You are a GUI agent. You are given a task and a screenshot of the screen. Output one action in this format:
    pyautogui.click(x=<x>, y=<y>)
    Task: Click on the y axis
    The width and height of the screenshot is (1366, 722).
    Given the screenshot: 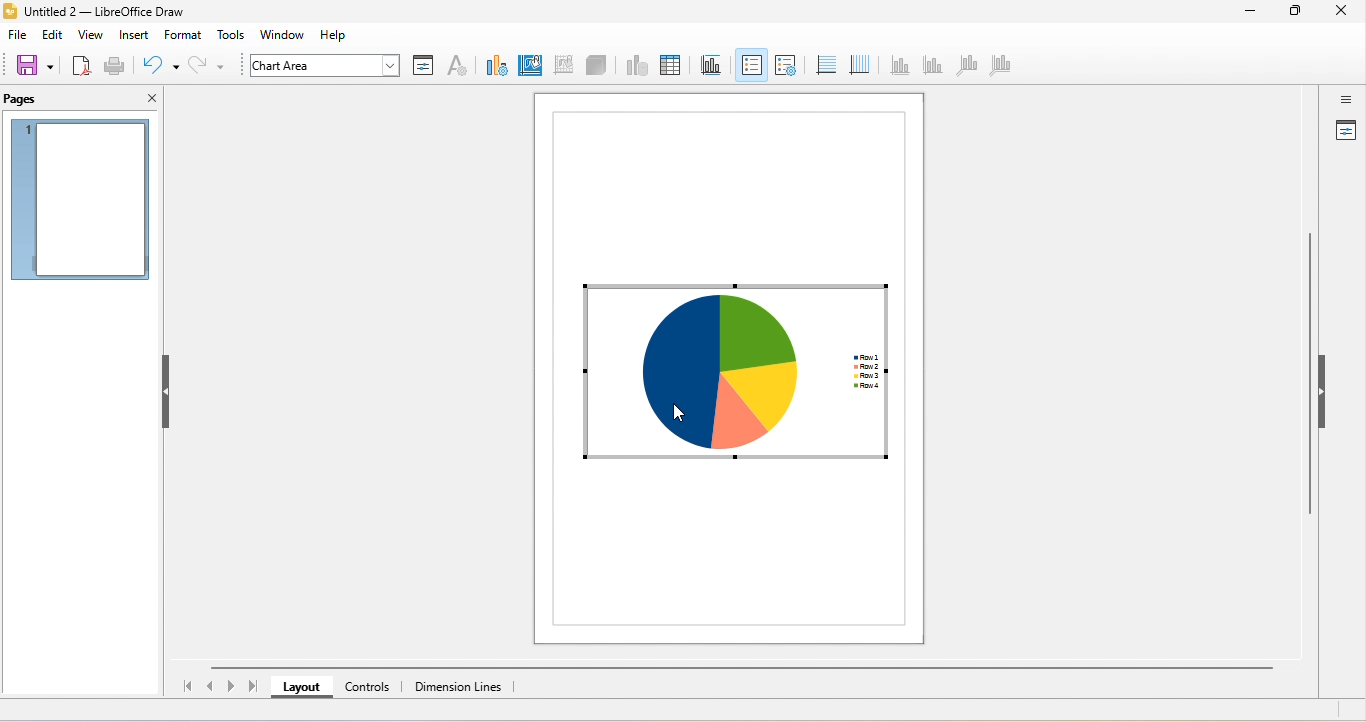 What is the action you would take?
    pyautogui.click(x=931, y=66)
    